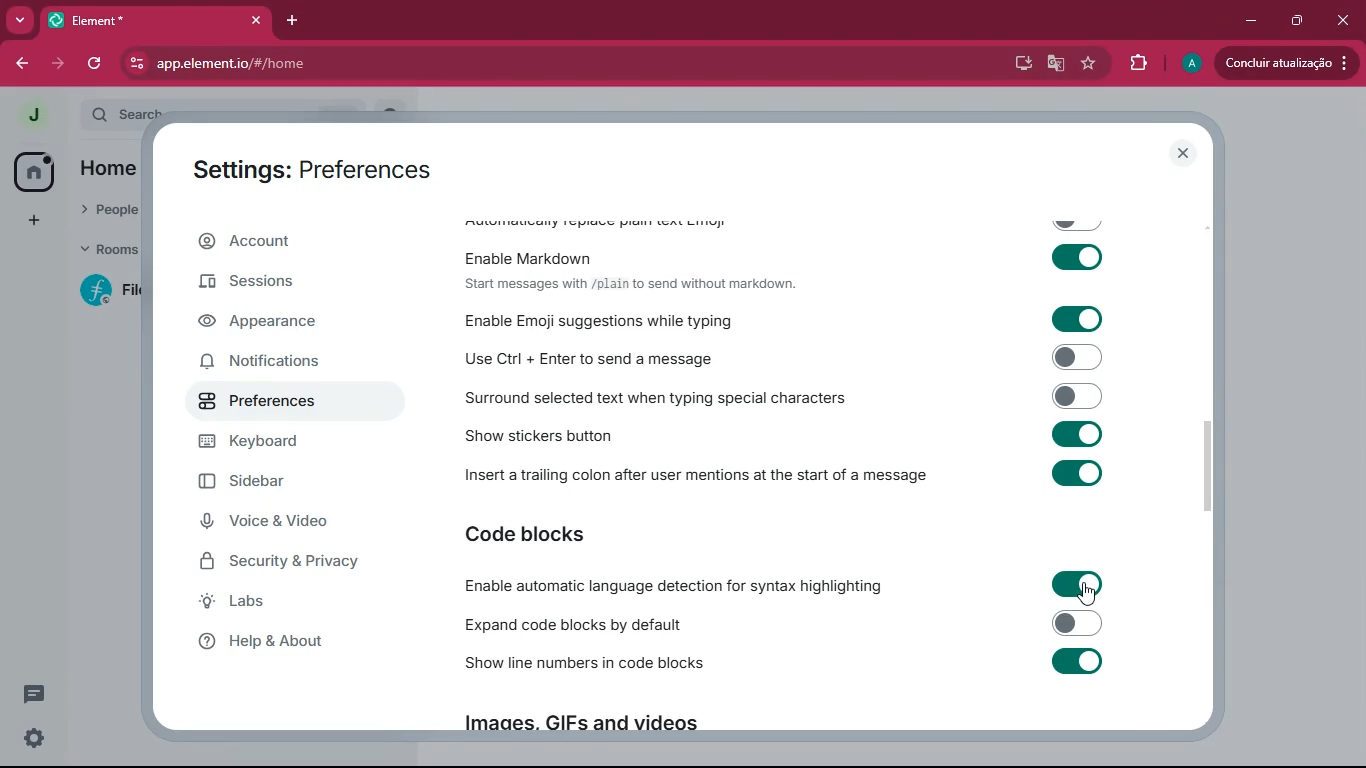 Image resolution: width=1366 pixels, height=768 pixels. Describe the element at coordinates (1057, 64) in the screenshot. I see `translate` at that location.